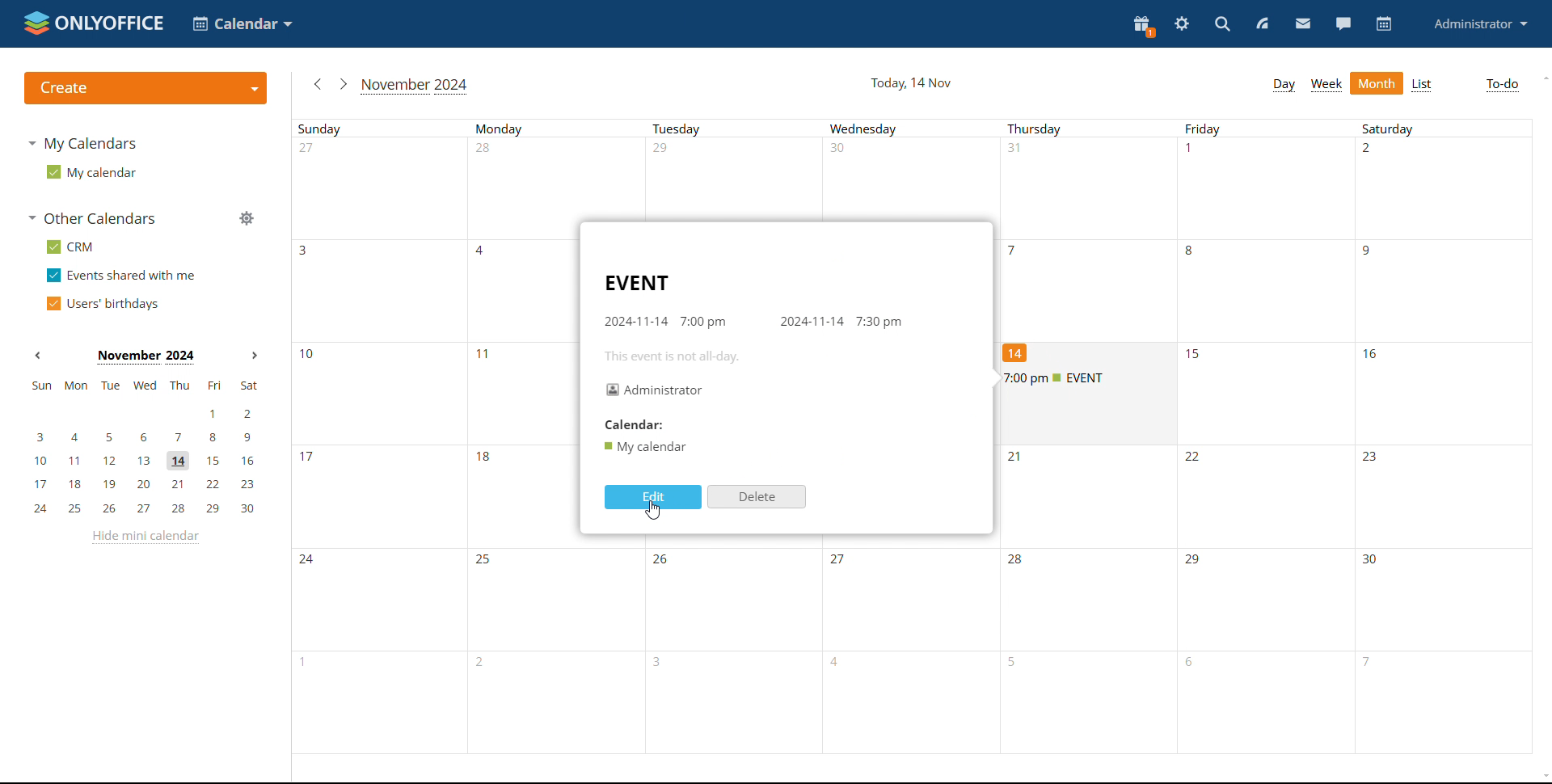  I want to click on create, so click(145, 88).